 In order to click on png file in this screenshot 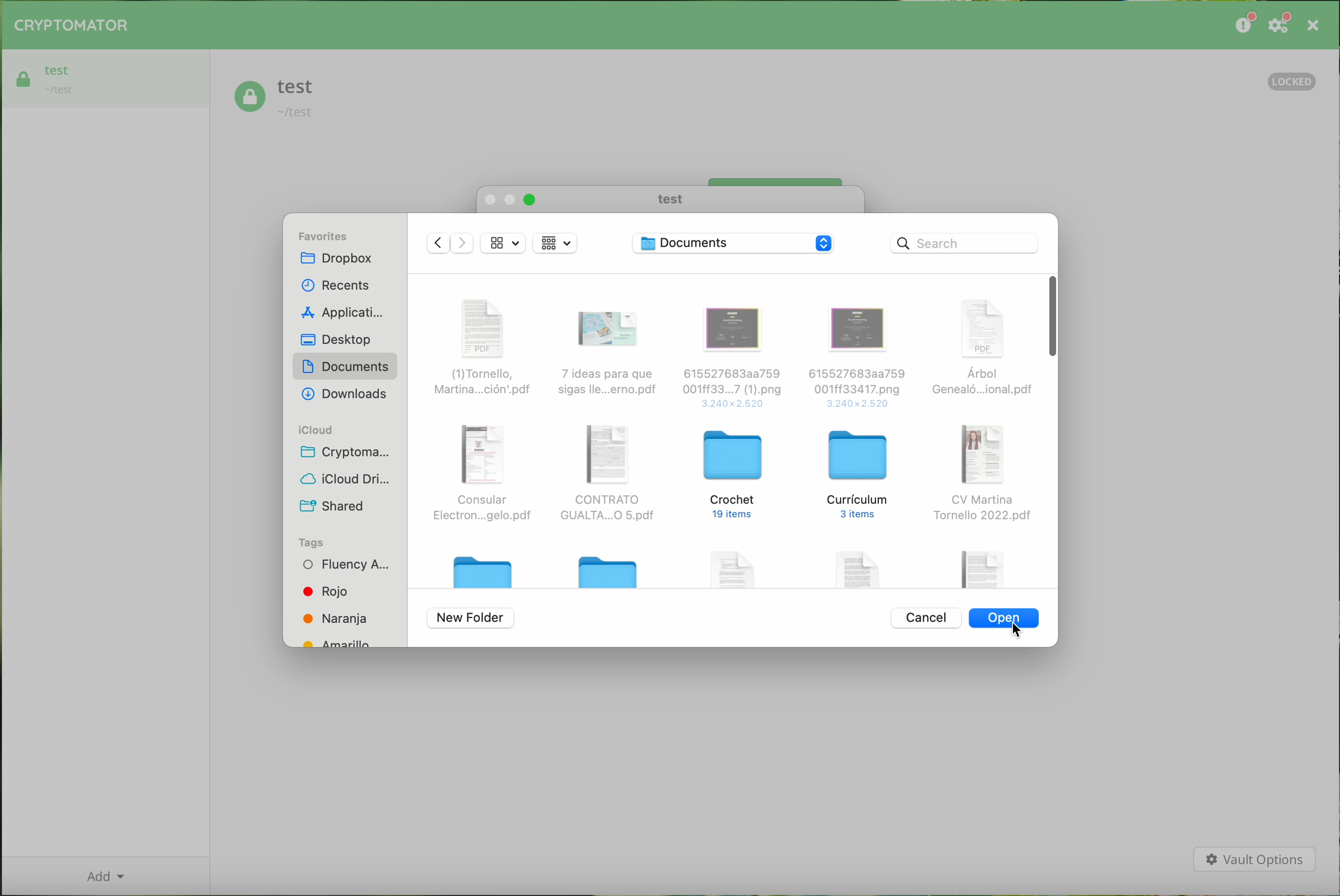, I will do `click(733, 355)`.